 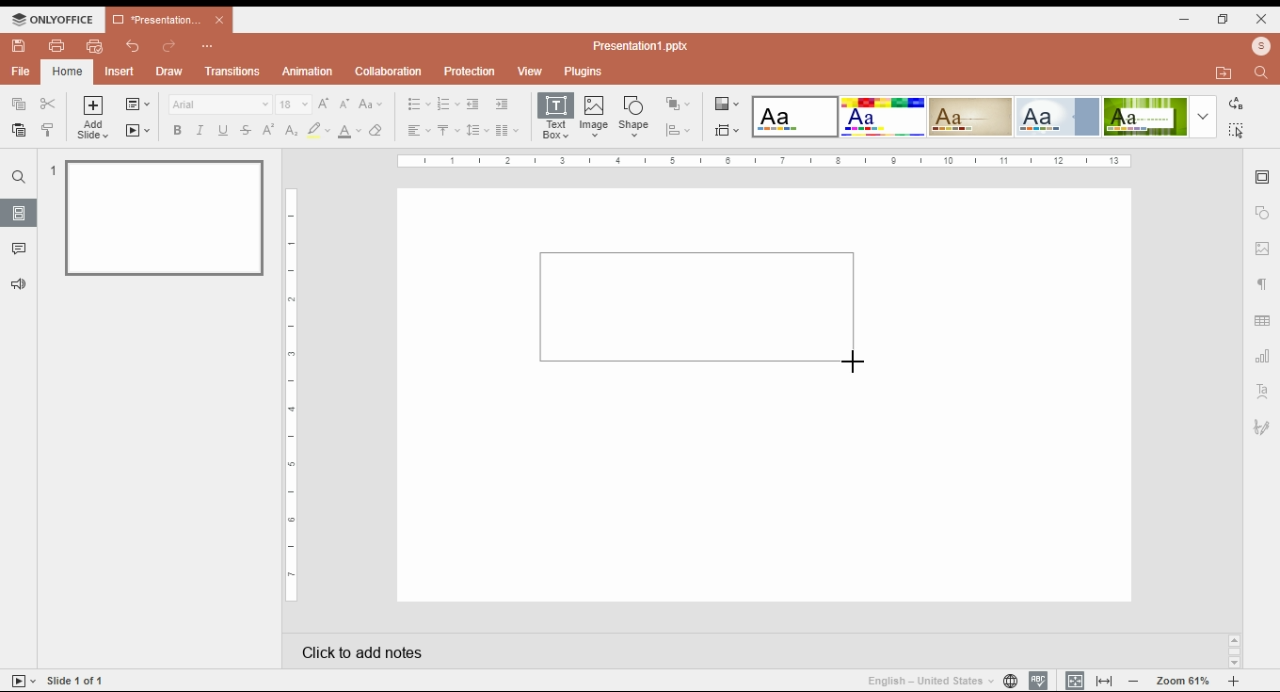 What do you see at coordinates (306, 71) in the screenshot?
I see `animation` at bounding box center [306, 71].